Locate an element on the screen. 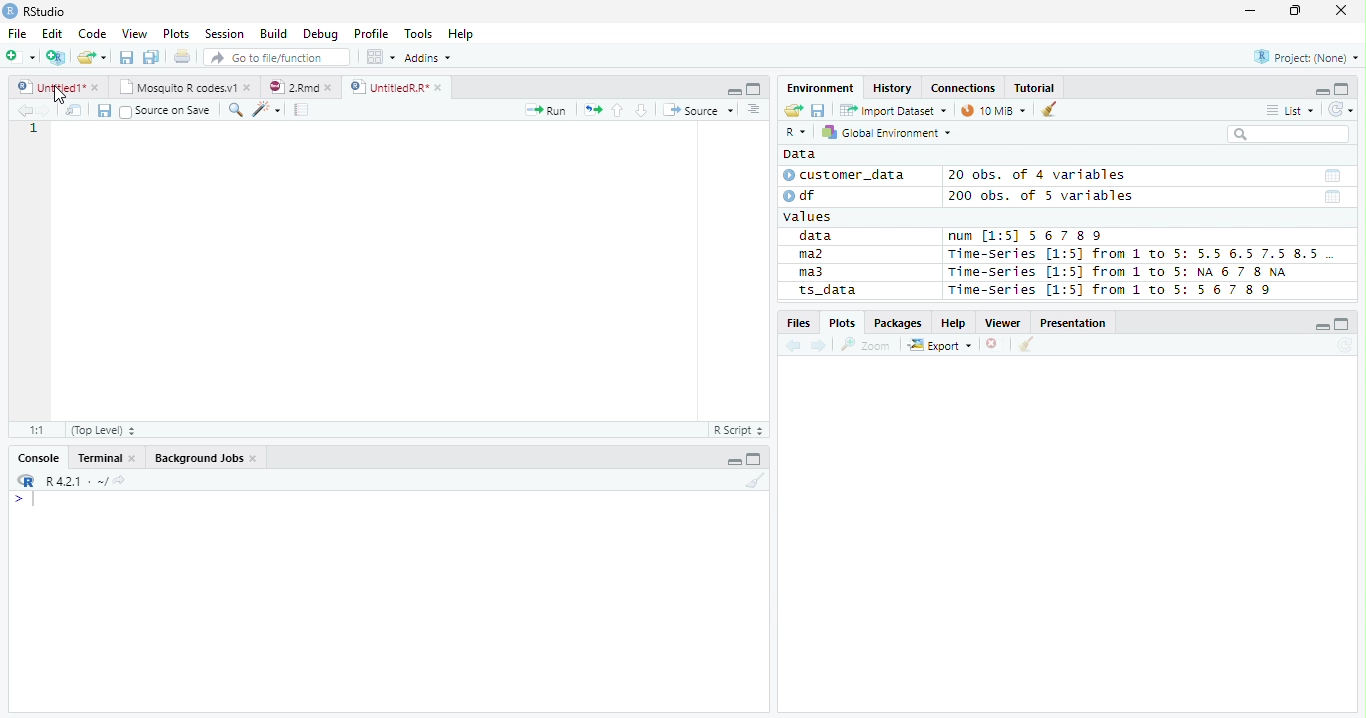 The width and height of the screenshot is (1366, 718). Code is located at coordinates (94, 34).